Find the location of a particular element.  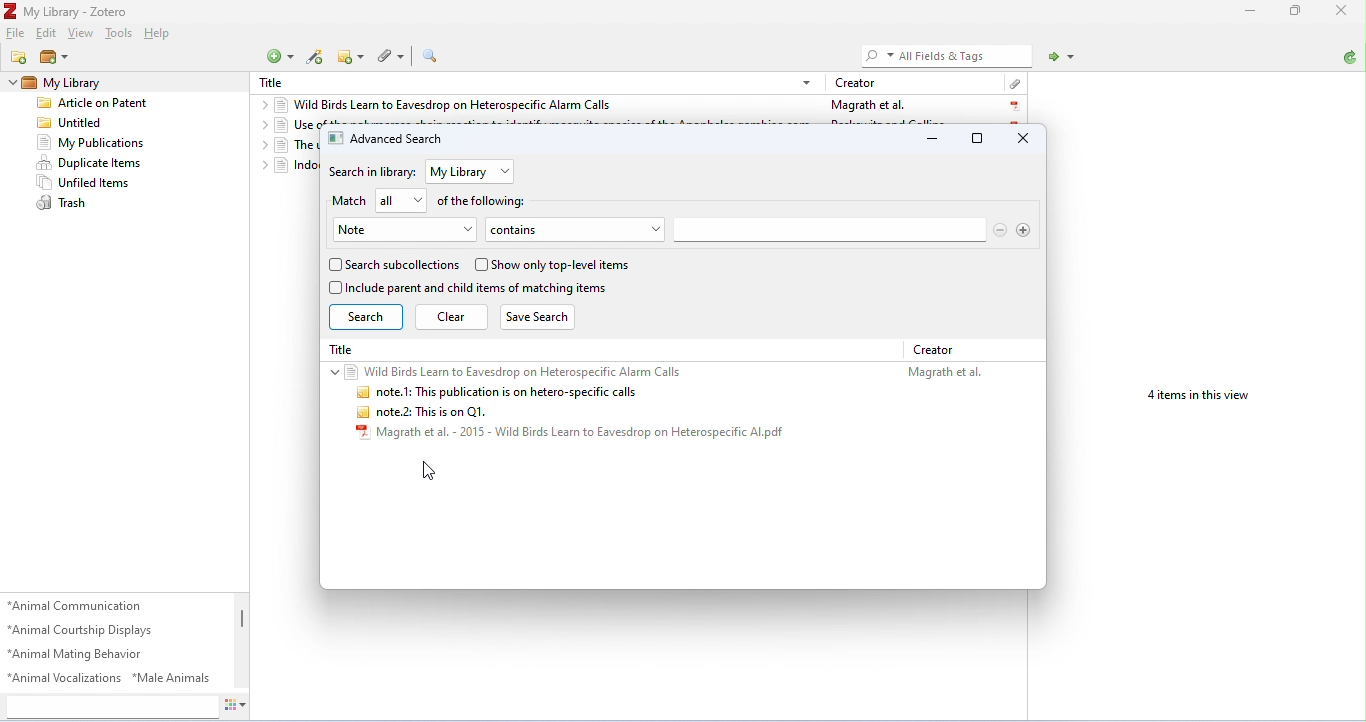

locate is located at coordinates (1063, 58).